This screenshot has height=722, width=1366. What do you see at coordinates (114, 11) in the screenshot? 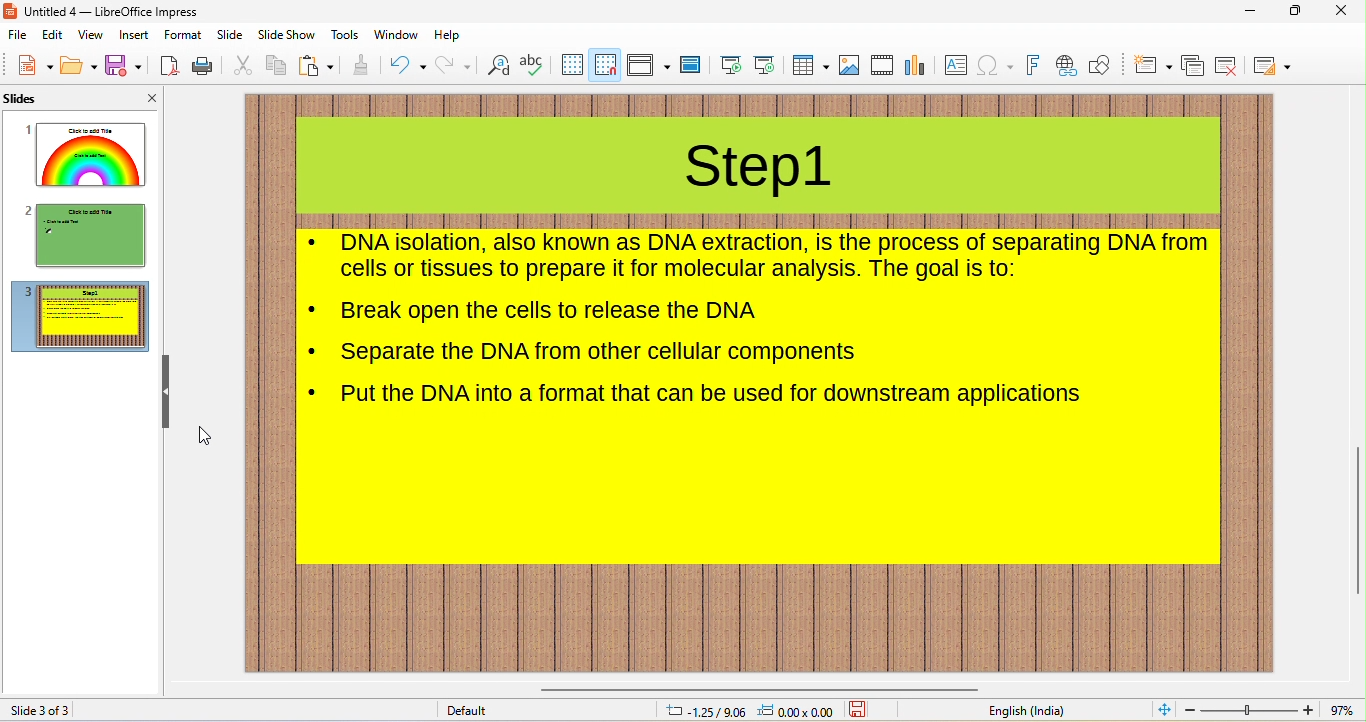
I see `title` at bounding box center [114, 11].